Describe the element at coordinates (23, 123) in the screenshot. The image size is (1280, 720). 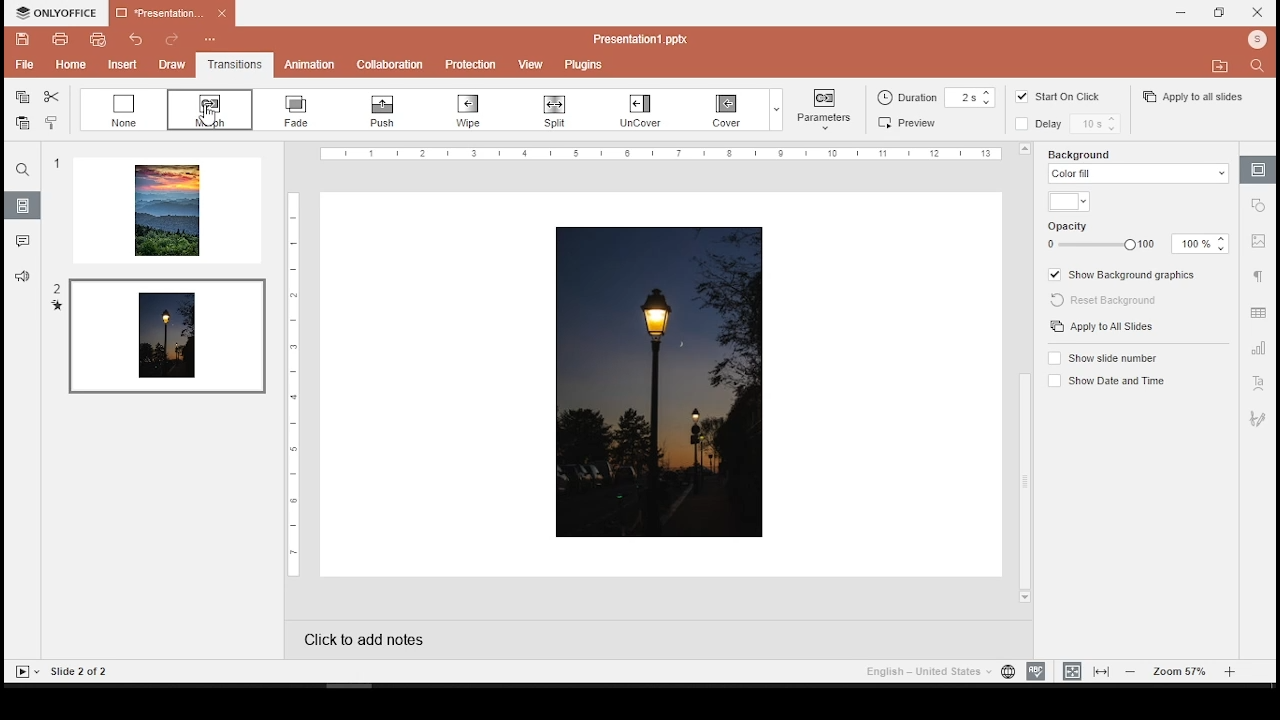
I see `paste` at that location.